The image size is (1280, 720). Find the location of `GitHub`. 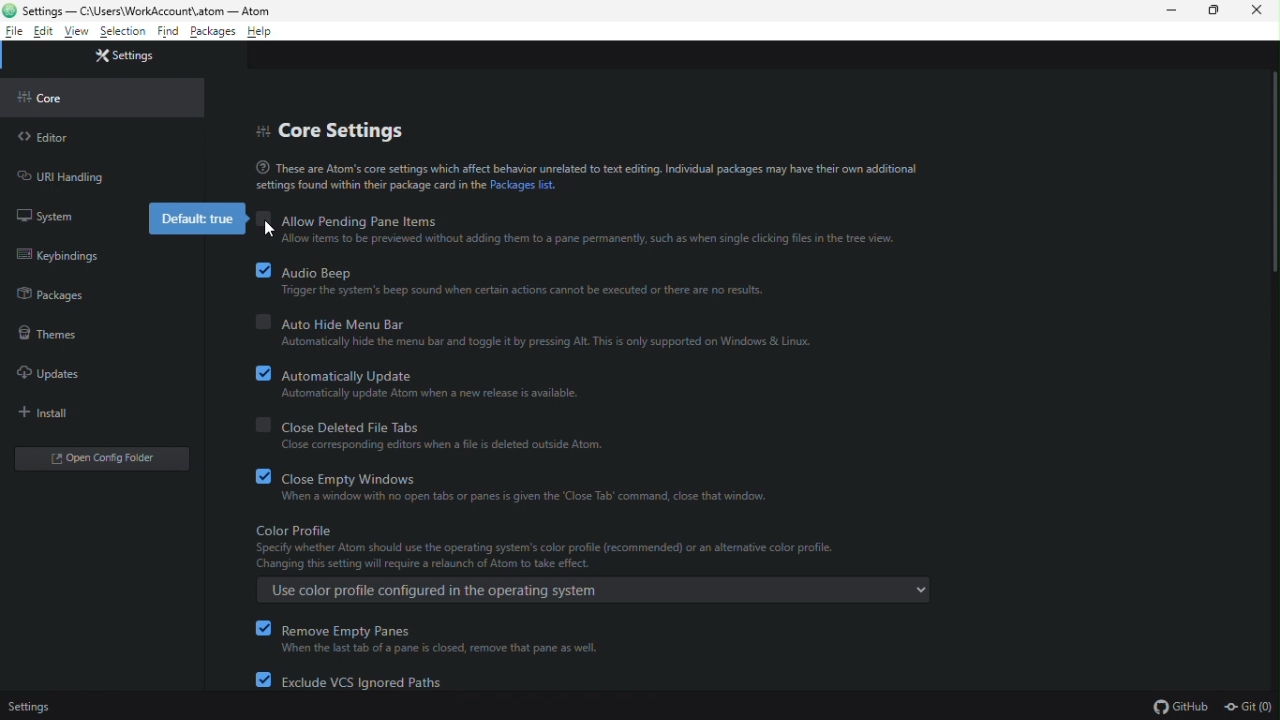

GitHub is located at coordinates (1170, 706).